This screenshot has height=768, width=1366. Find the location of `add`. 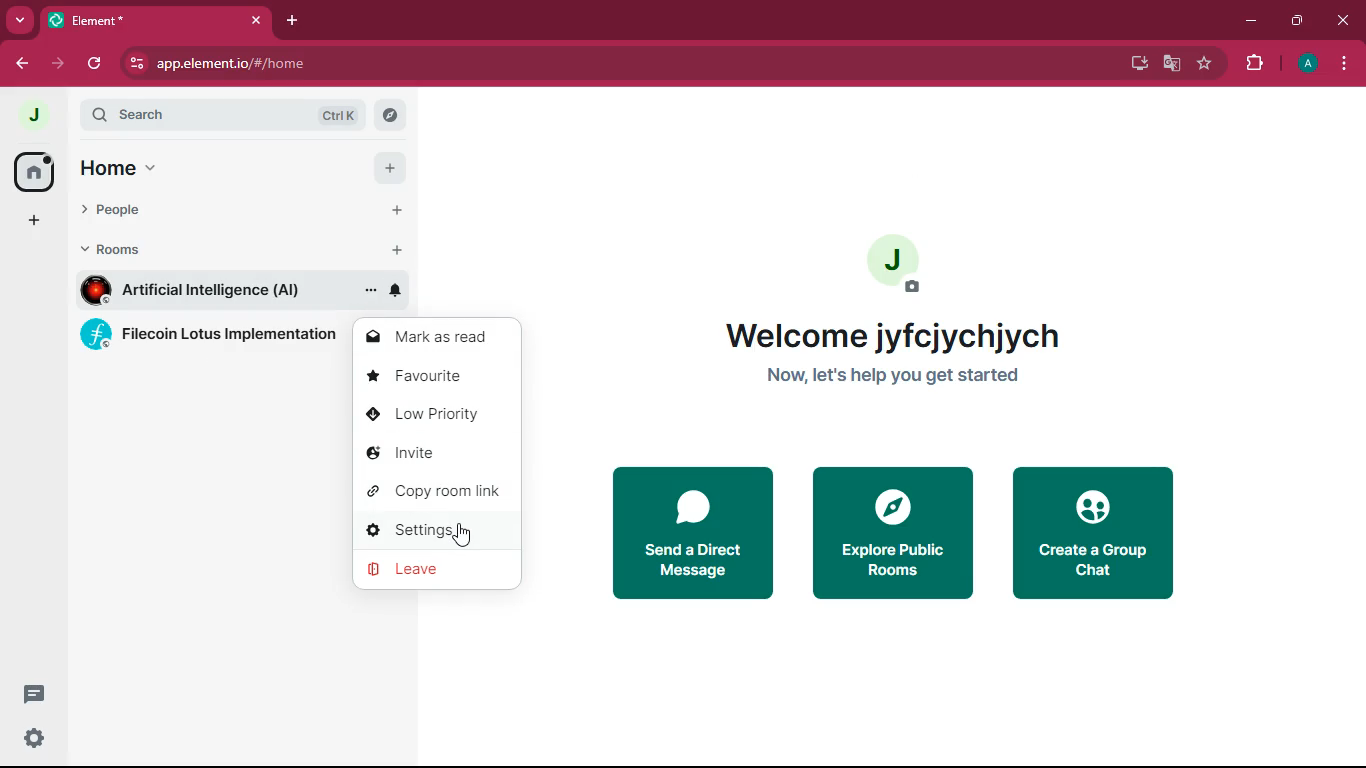

add is located at coordinates (392, 170).